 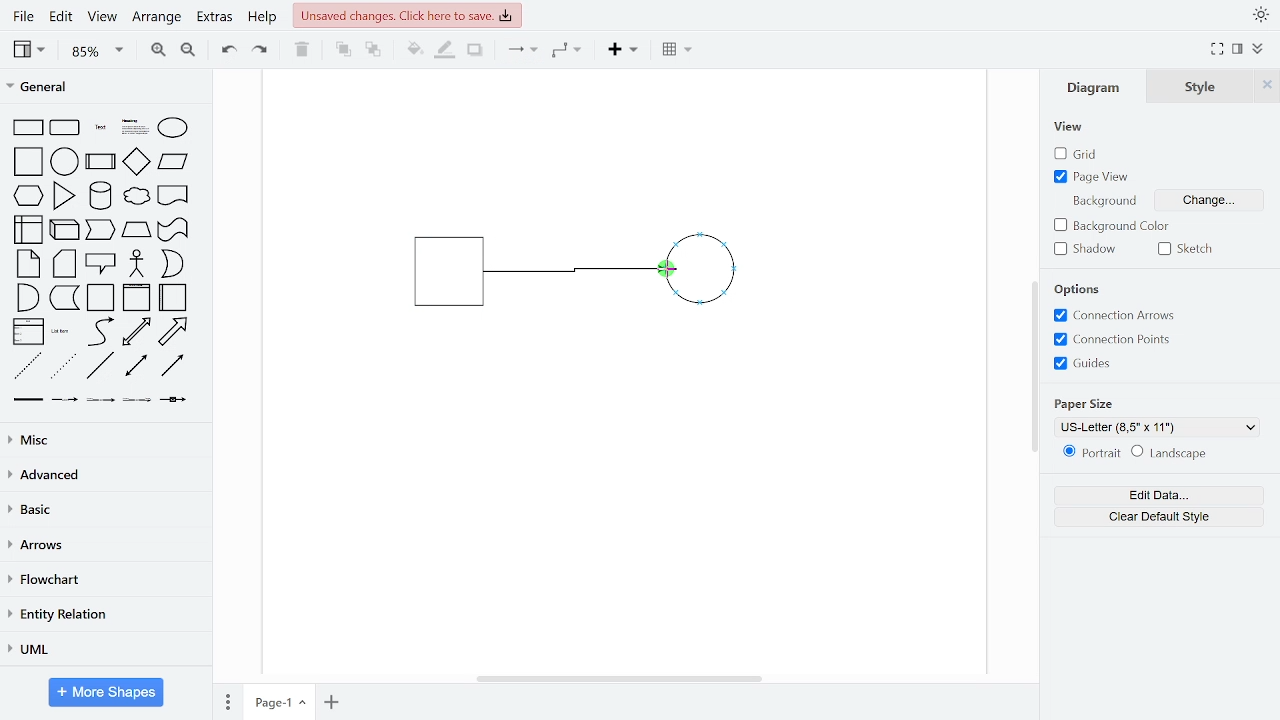 I want to click on directional connector, so click(x=172, y=365).